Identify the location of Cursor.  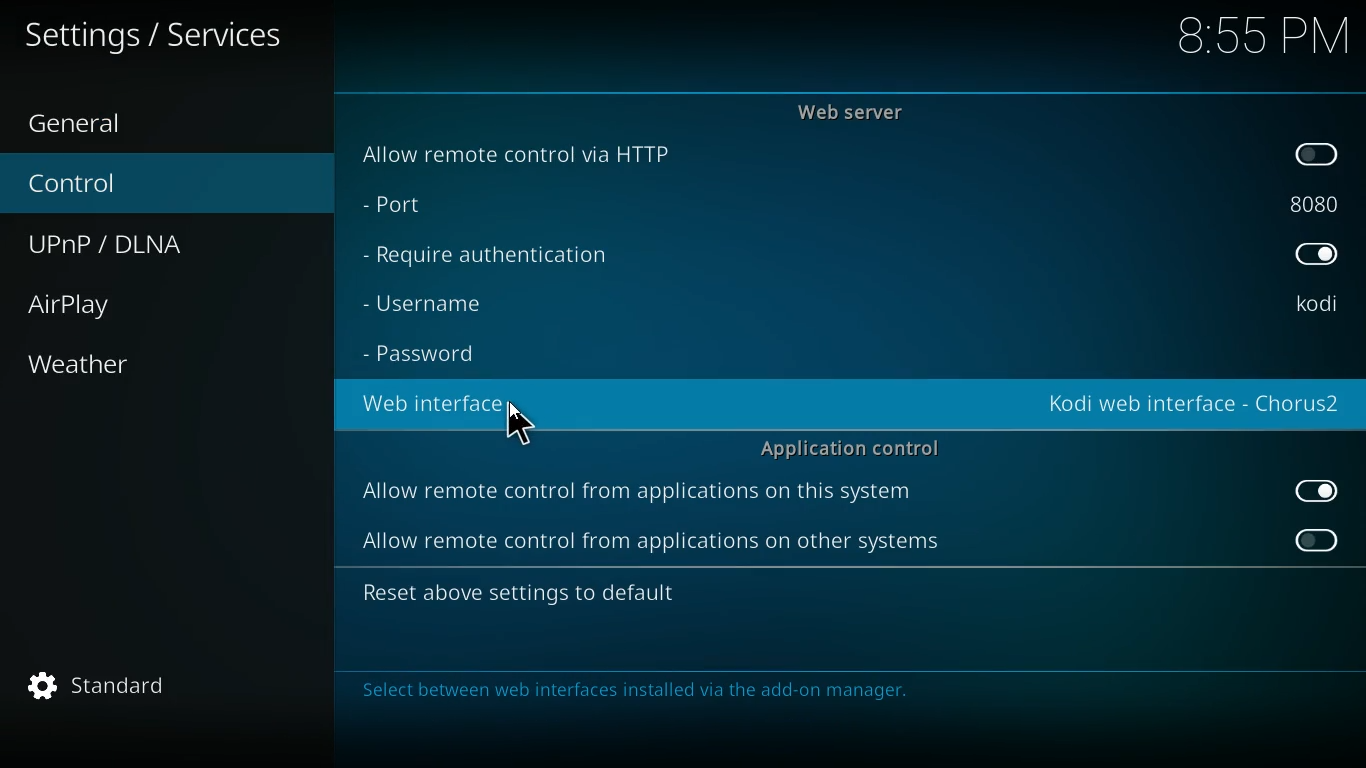
(519, 421).